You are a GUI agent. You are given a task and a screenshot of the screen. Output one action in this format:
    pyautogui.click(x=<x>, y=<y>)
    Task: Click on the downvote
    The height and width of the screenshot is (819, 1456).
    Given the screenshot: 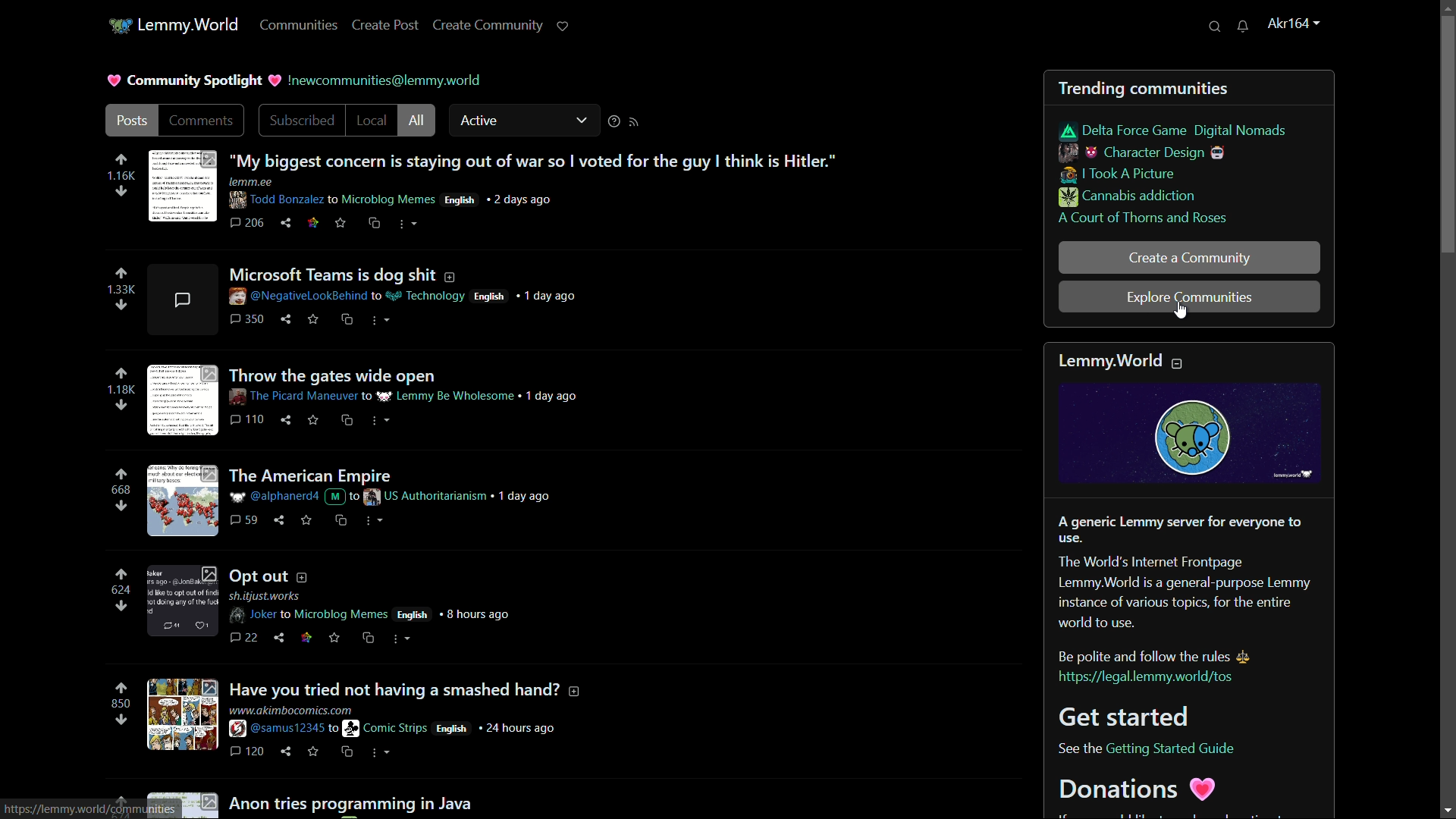 What is the action you would take?
    pyautogui.click(x=119, y=508)
    